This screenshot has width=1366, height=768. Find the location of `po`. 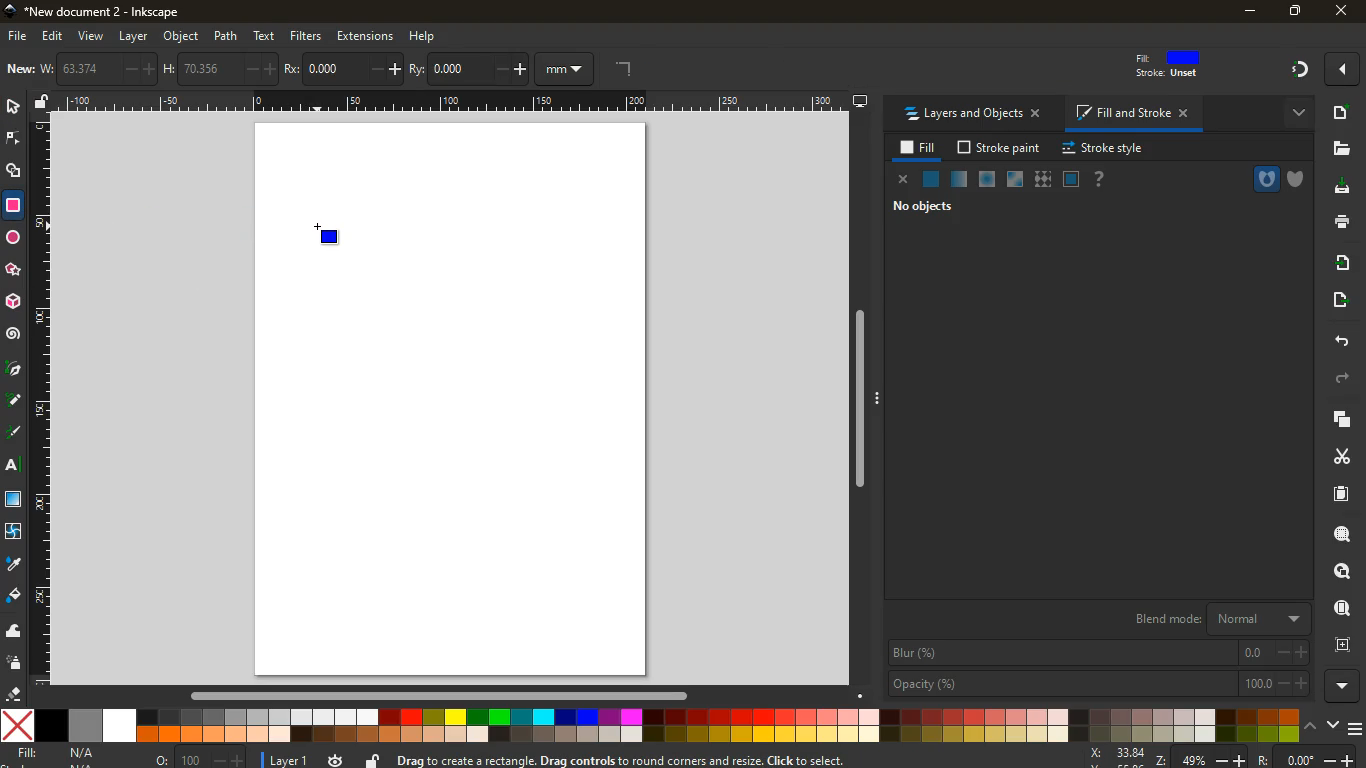

po is located at coordinates (344, 70).